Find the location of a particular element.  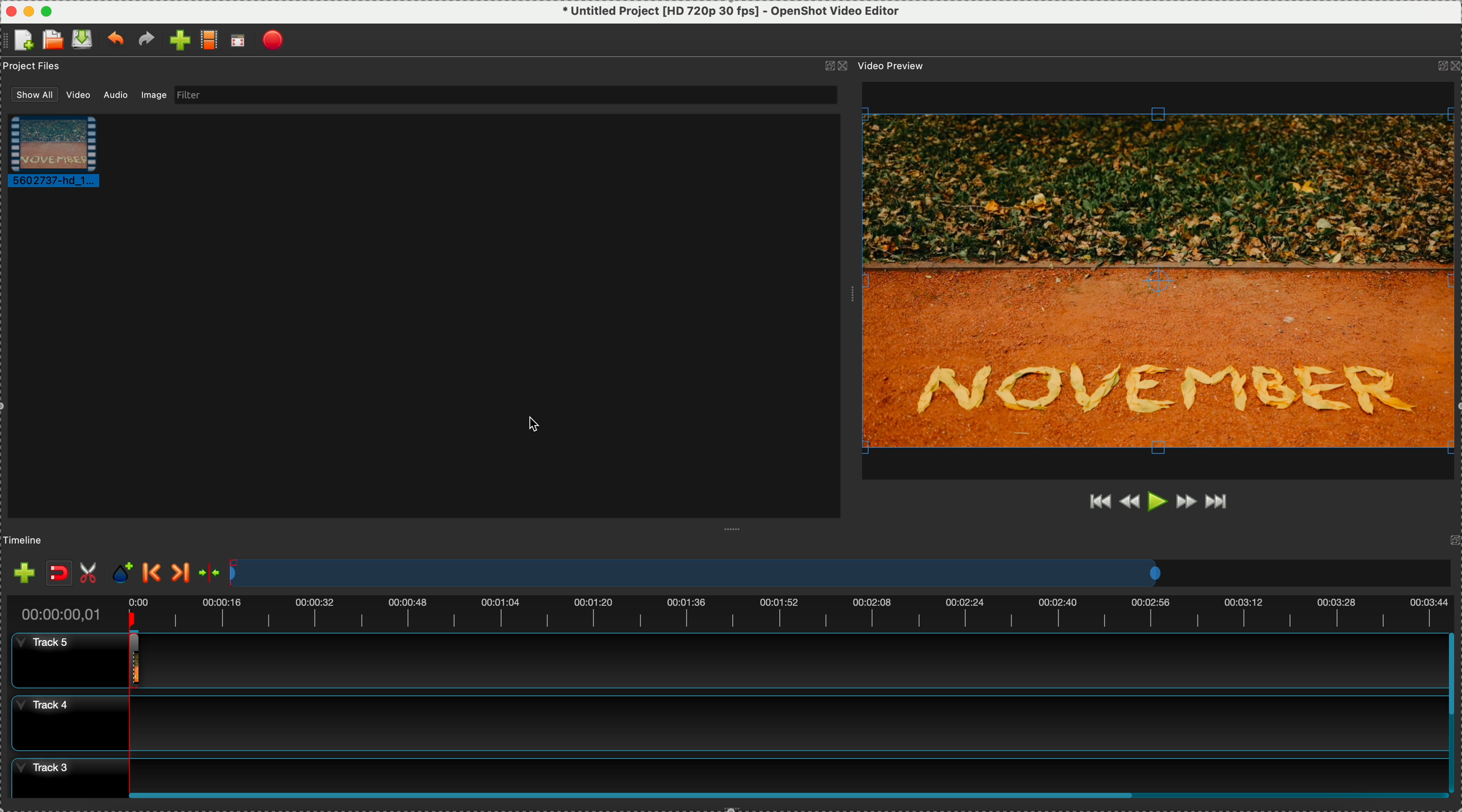

project files is located at coordinates (33, 68).